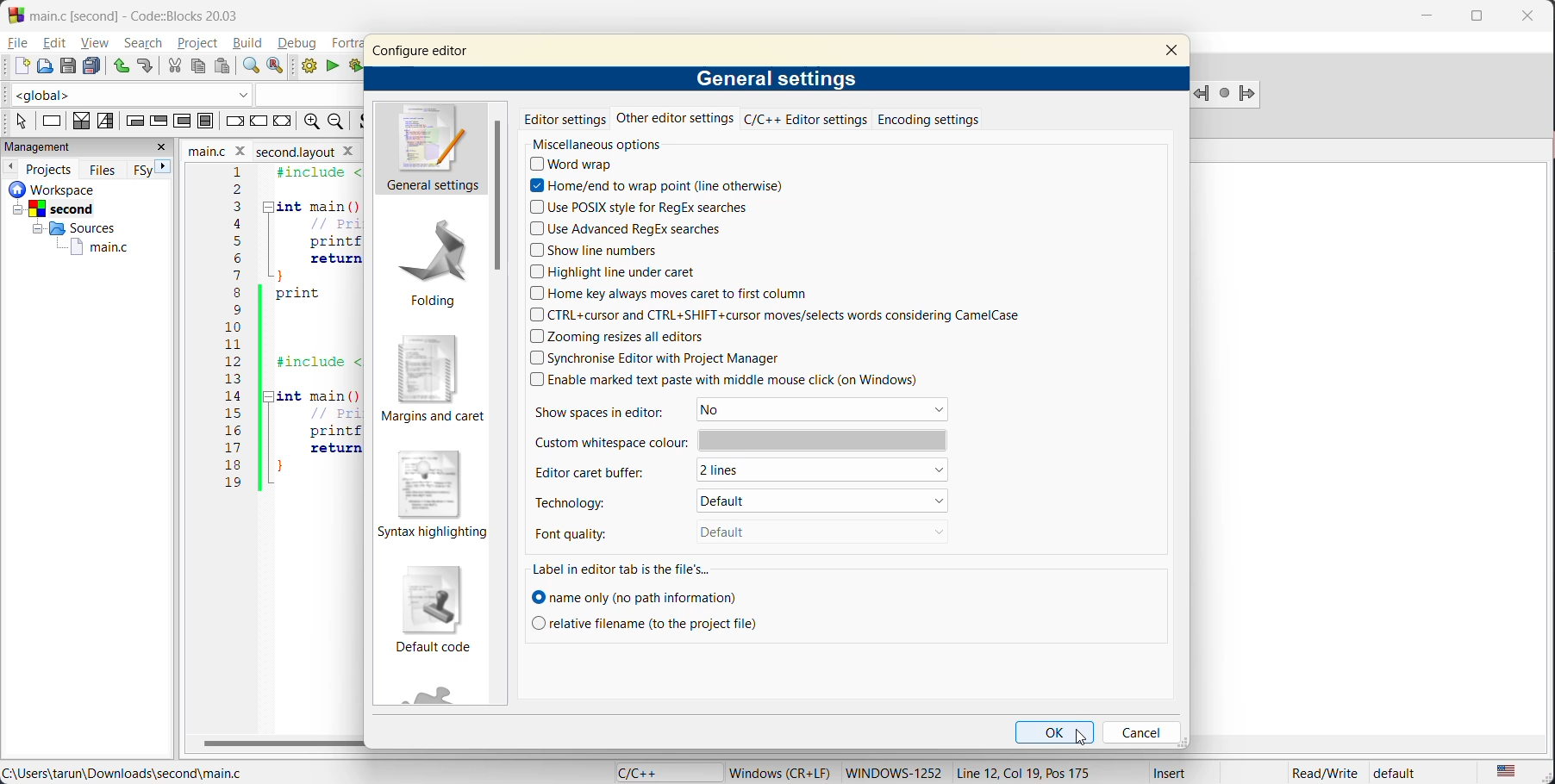 The width and height of the screenshot is (1555, 784). Describe the element at coordinates (164, 167) in the screenshot. I see `next` at that location.